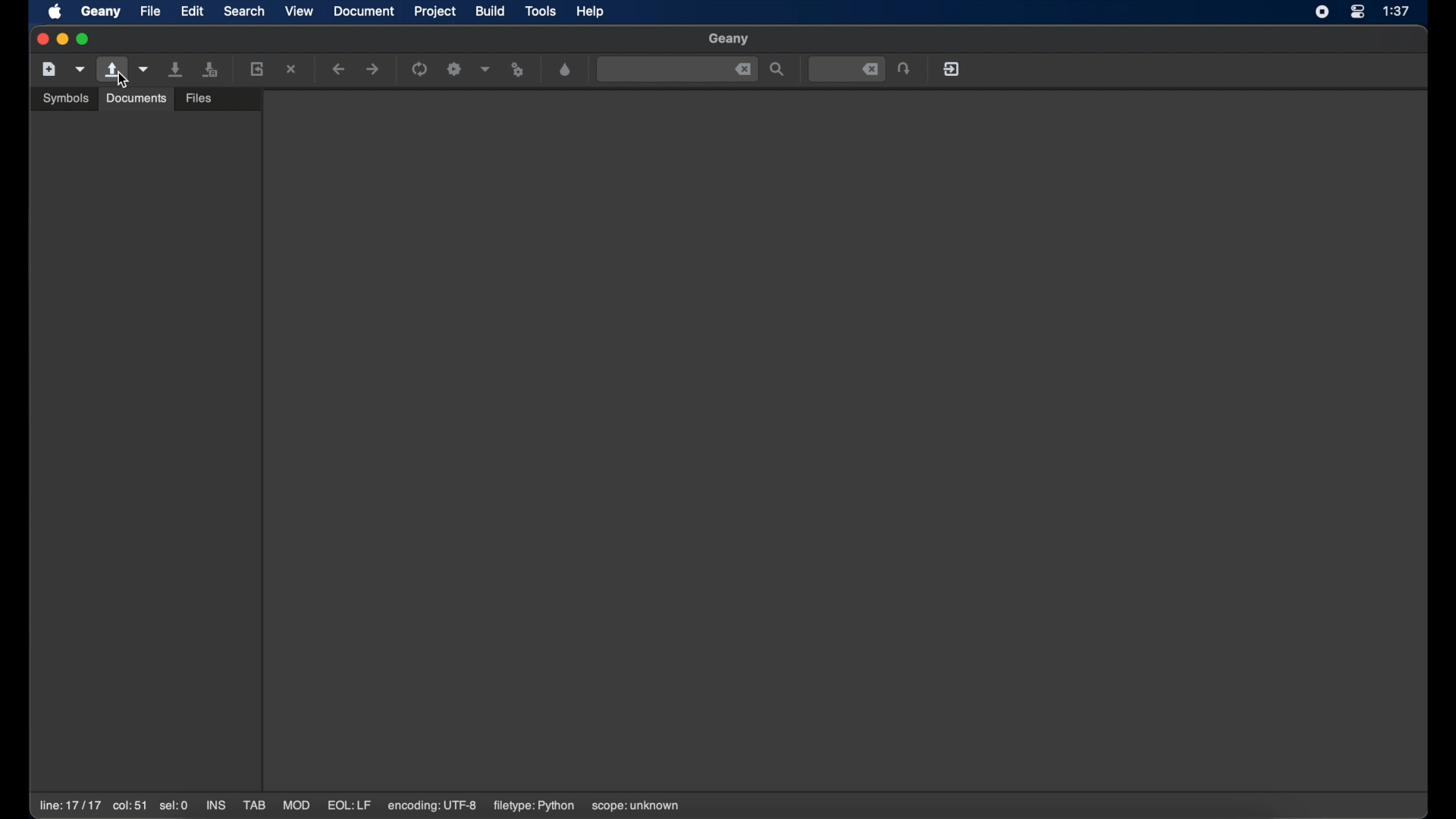  What do you see at coordinates (485, 69) in the screenshot?
I see `choose more build actions` at bounding box center [485, 69].